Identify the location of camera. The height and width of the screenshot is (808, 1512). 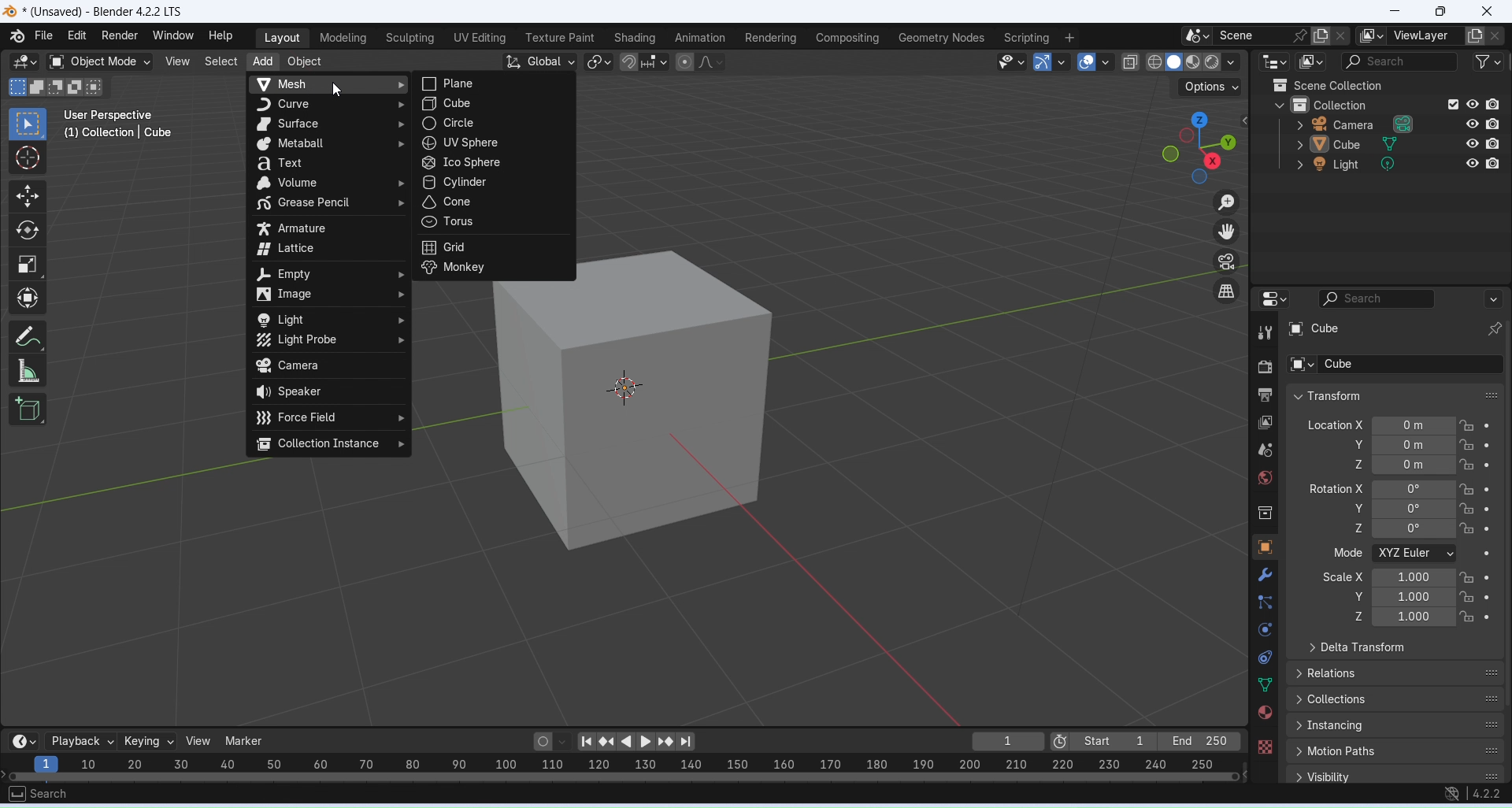
(327, 367).